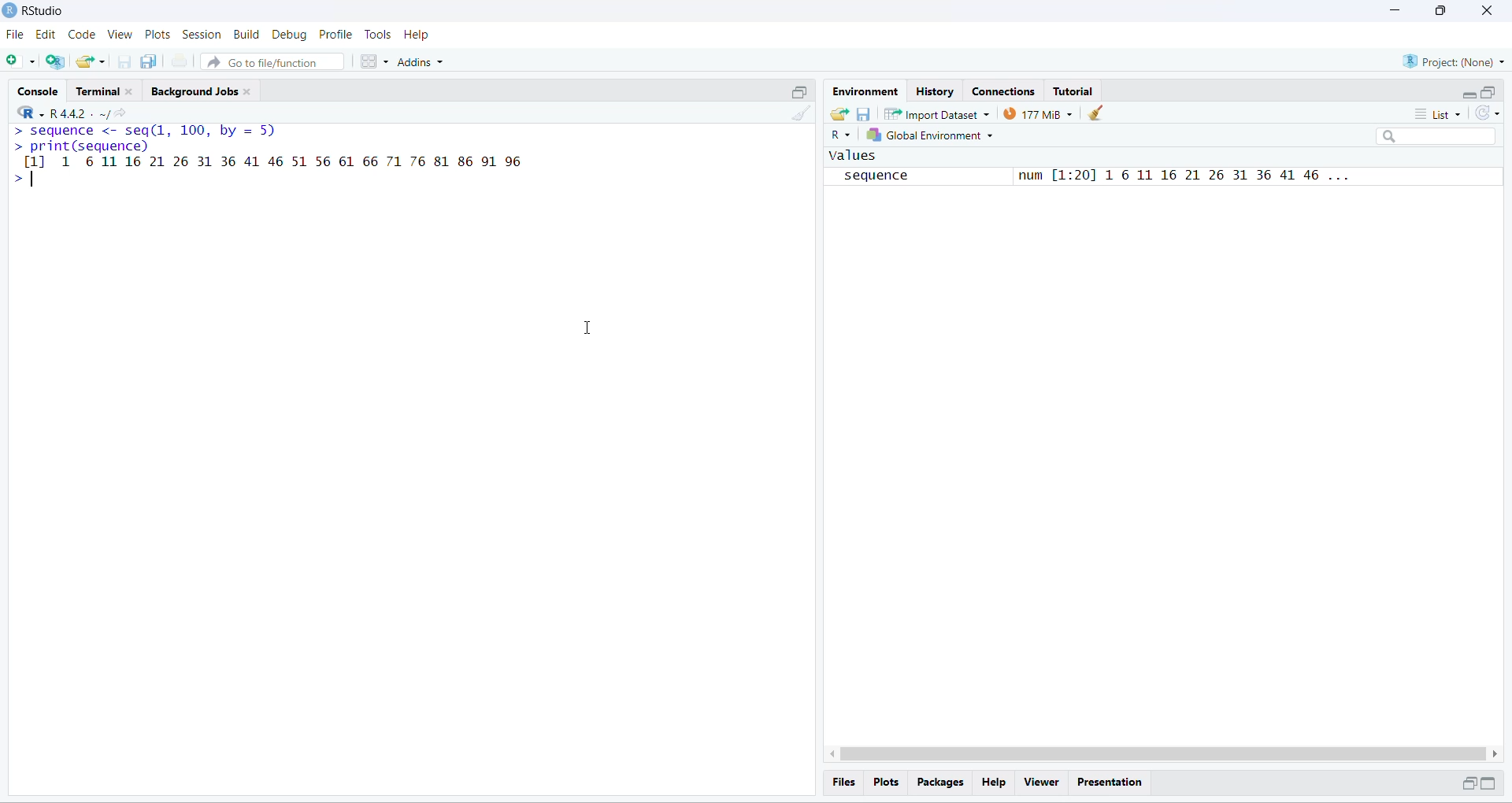 Image resolution: width=1512 pixels, height=803 pixels. What do you see at coordinates (92, 62) in the screenshot?
I see `share folder as` at bounding box center [92, 62].